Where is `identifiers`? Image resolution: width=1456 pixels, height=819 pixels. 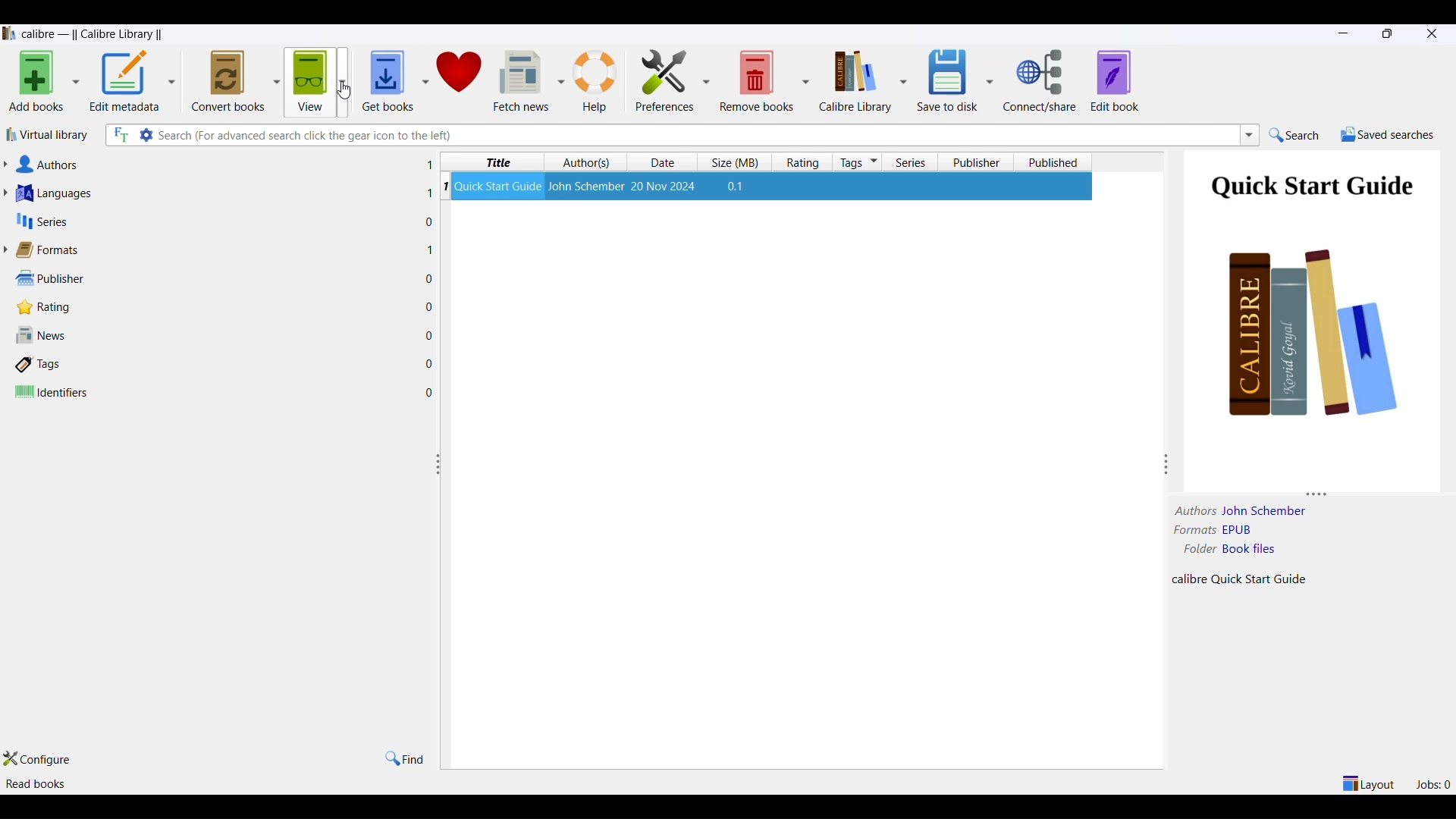 identifiers is located at coordinates (229, 391).